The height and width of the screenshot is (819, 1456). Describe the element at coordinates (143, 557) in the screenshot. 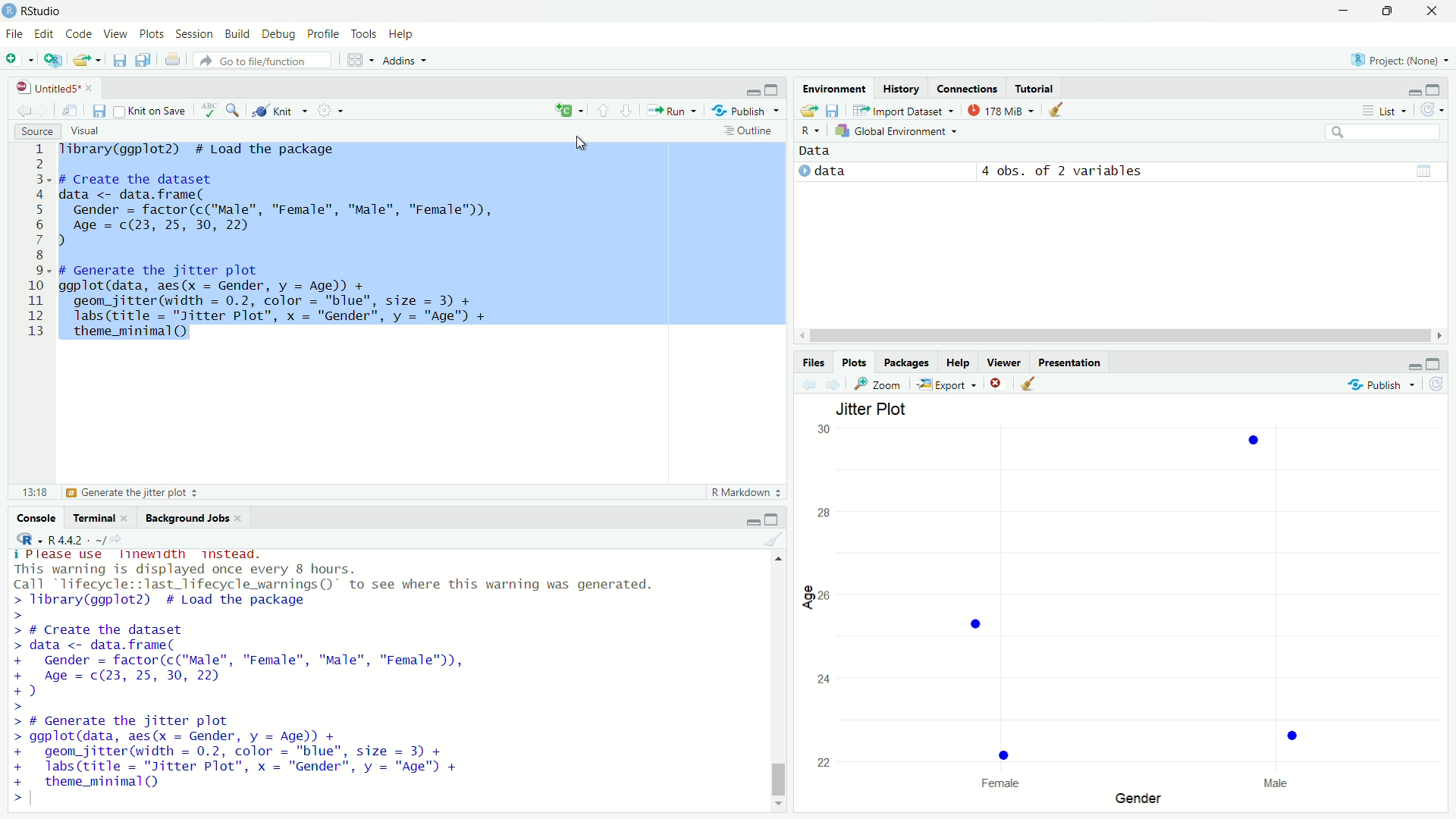

I see `please use linewidth instead.` at that location.